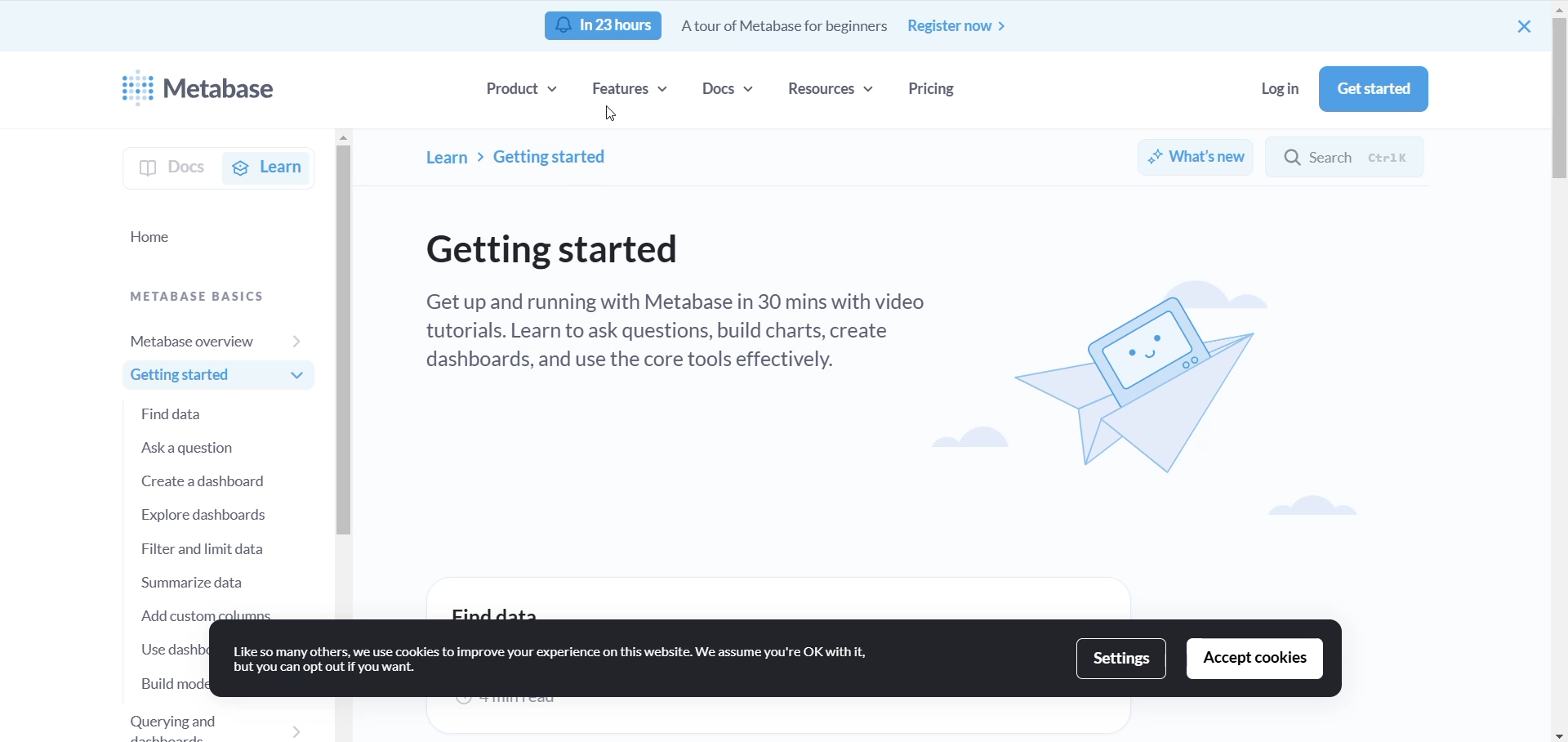 The image size is (1568, 742). I want to click on TEXT, so click(680, 306).